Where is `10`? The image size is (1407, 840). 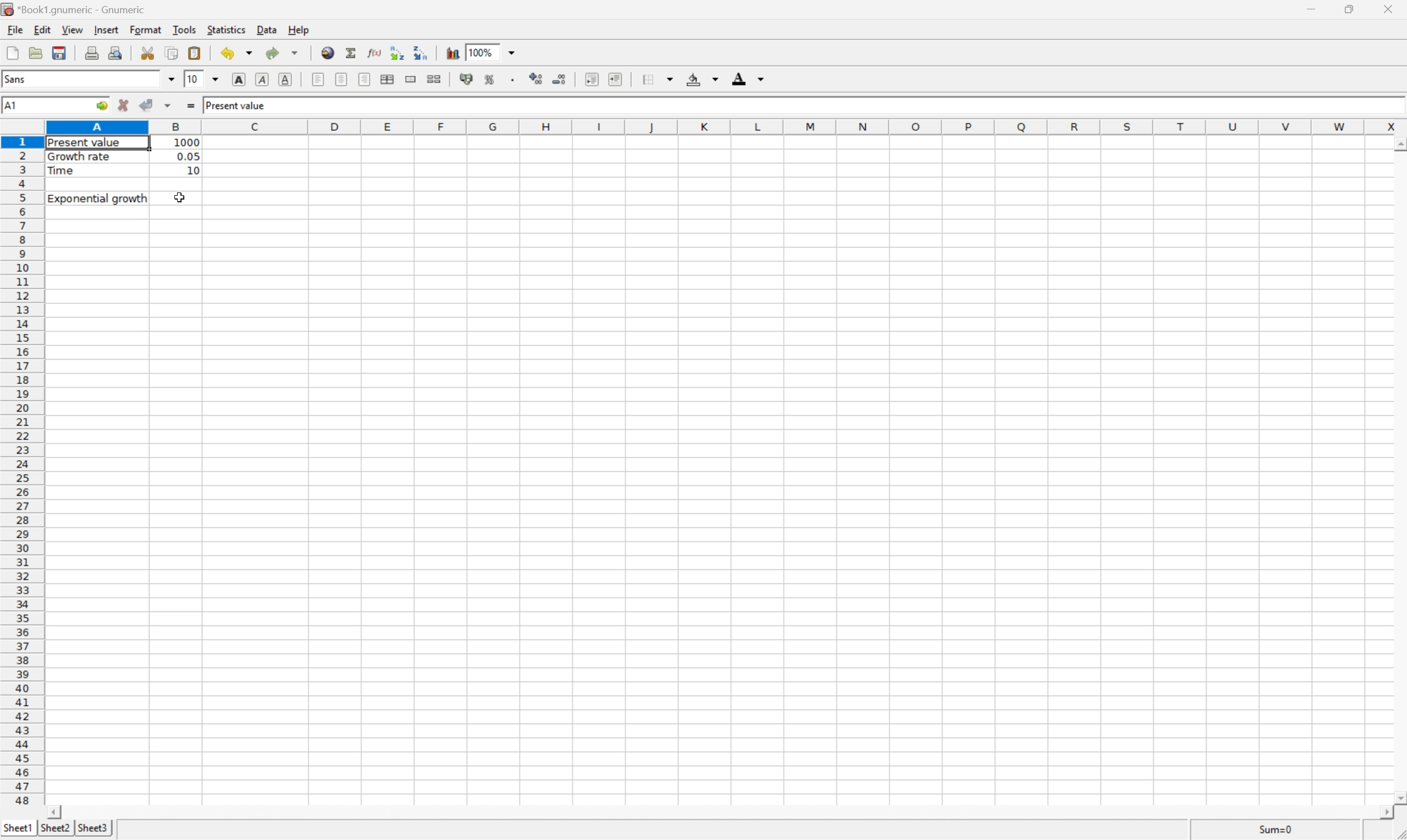
10 is located at coordinates (192, 79).